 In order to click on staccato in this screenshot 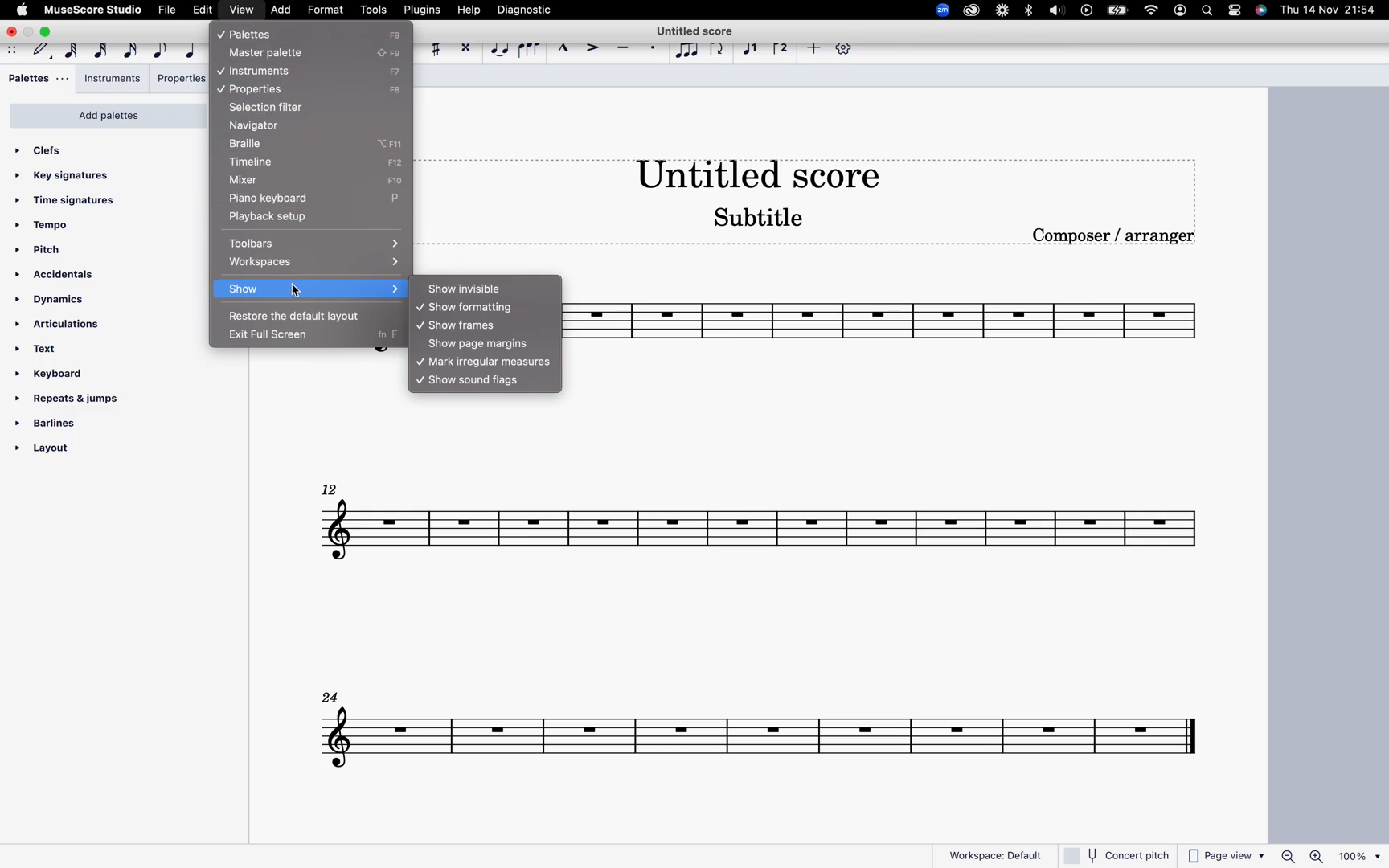, I will do `click(649, 51)`.